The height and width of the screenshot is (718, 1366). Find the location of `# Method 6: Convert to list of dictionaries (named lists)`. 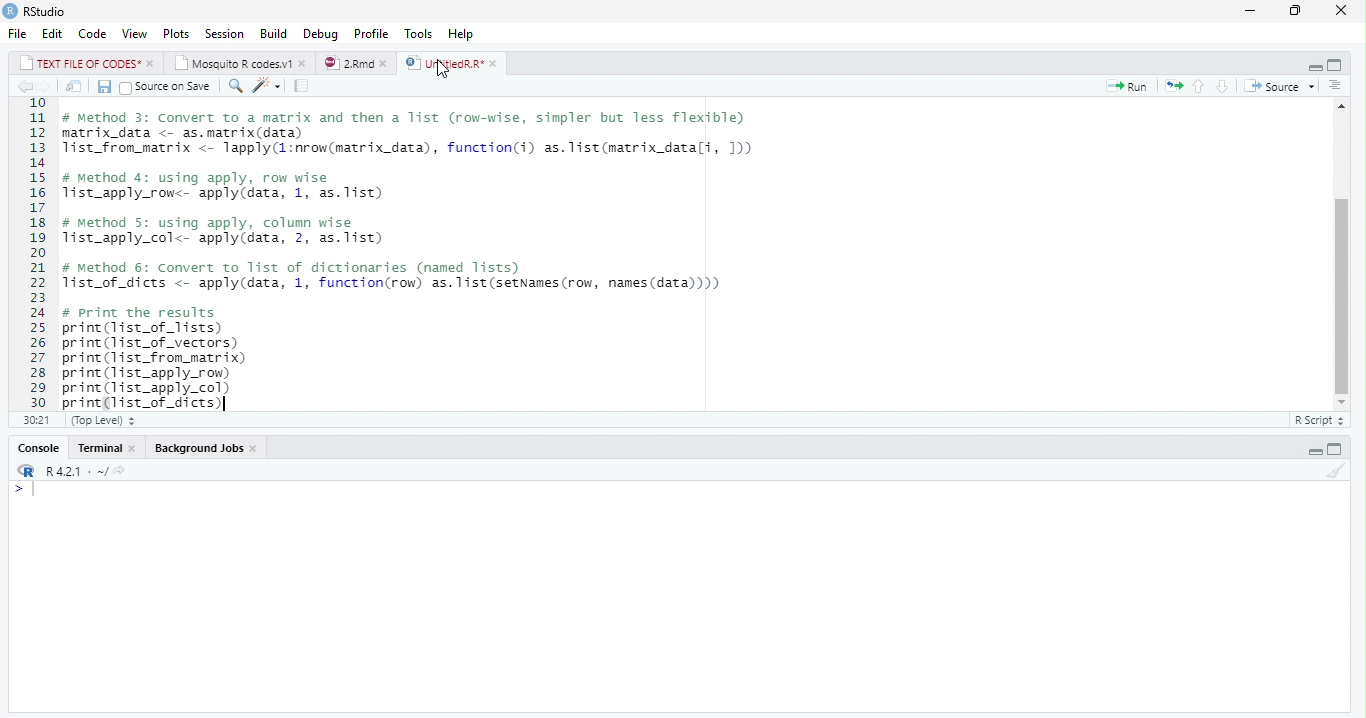

# Method 6: Convert to list of dictionaries (named lists) is located at coordinates (301, 266).